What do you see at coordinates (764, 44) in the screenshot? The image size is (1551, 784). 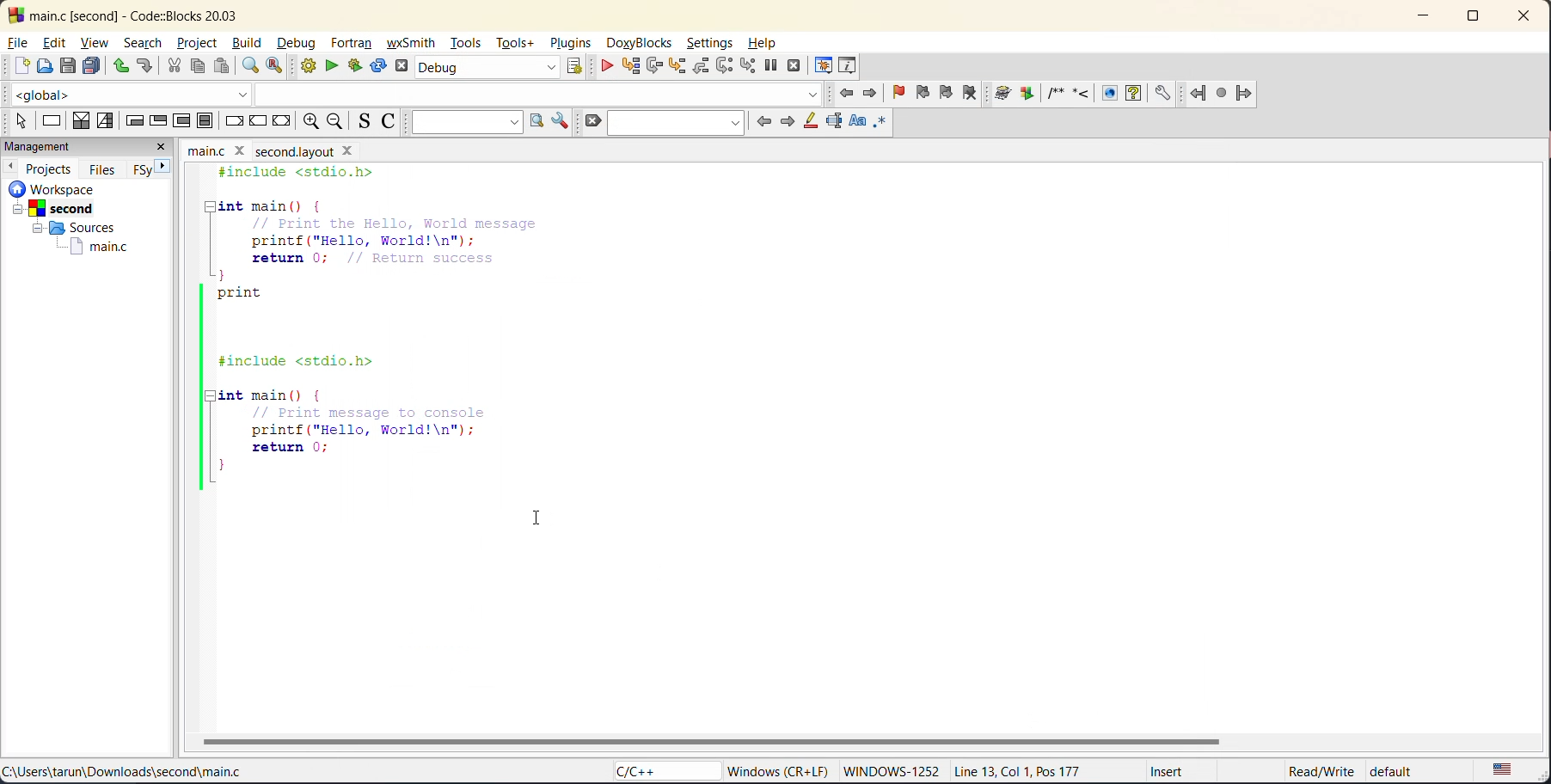 I see `help` at bounding box center [764, 44].